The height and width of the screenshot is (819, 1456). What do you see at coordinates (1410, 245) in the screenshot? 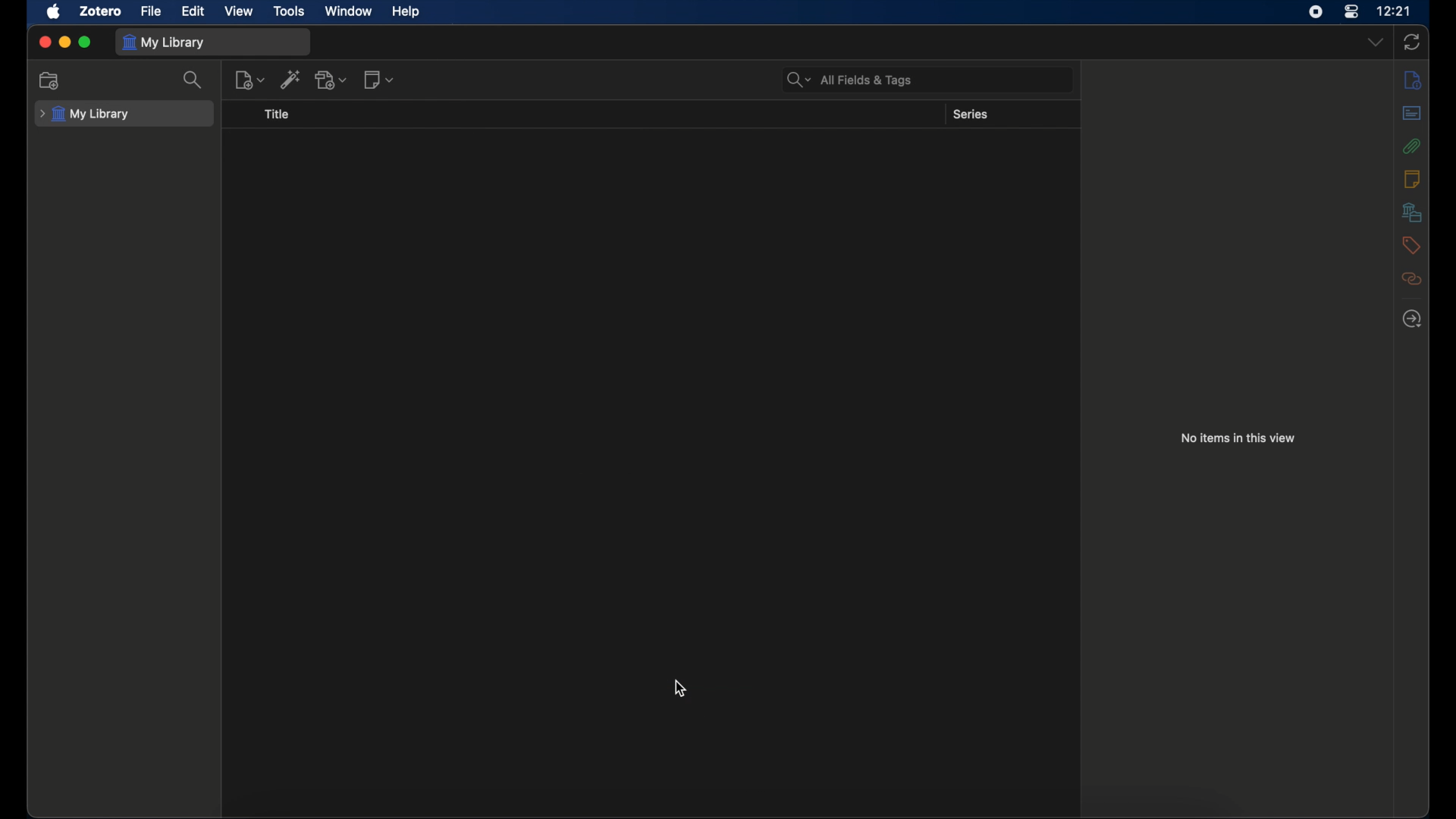
I see `tags` at bounding box center [1410, 245].